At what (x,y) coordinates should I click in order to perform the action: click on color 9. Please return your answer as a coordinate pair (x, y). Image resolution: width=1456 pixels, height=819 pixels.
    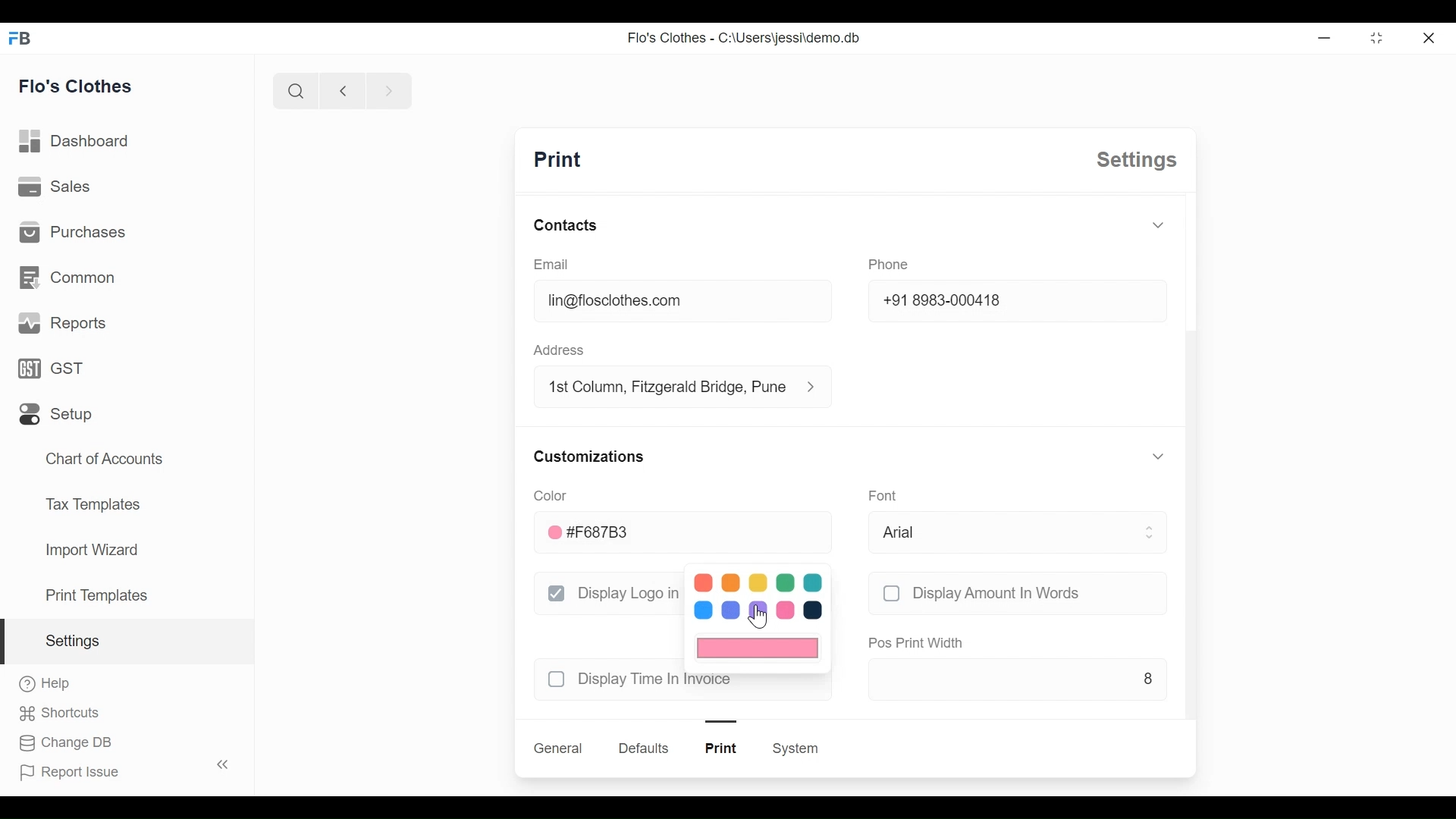
    Looking at the image, I should click on (786, 610).